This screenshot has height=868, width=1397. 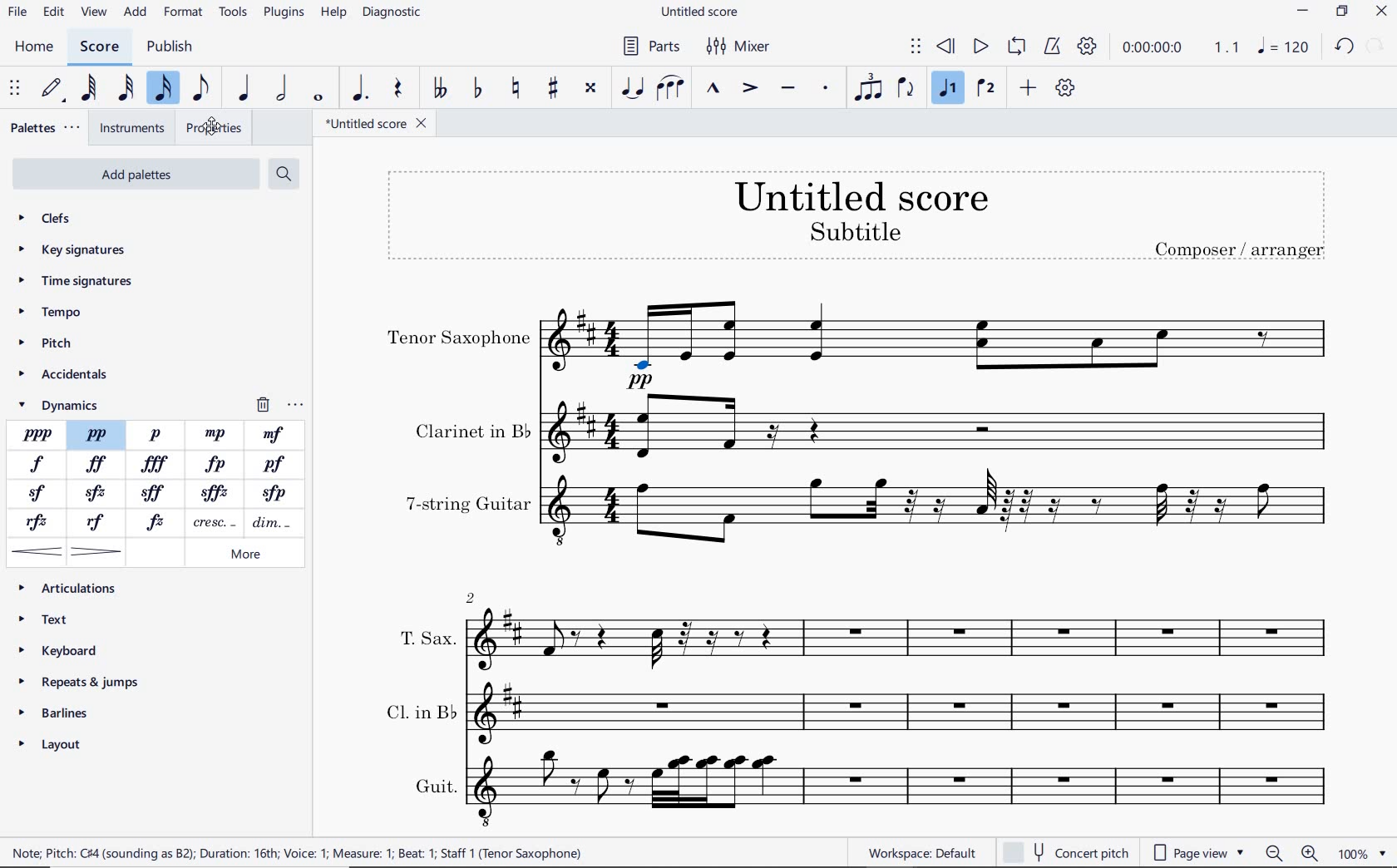 What do you see at coordinates (134, 174) in the screenshot?
I see `add palettes` at bounding box center [134, 174].